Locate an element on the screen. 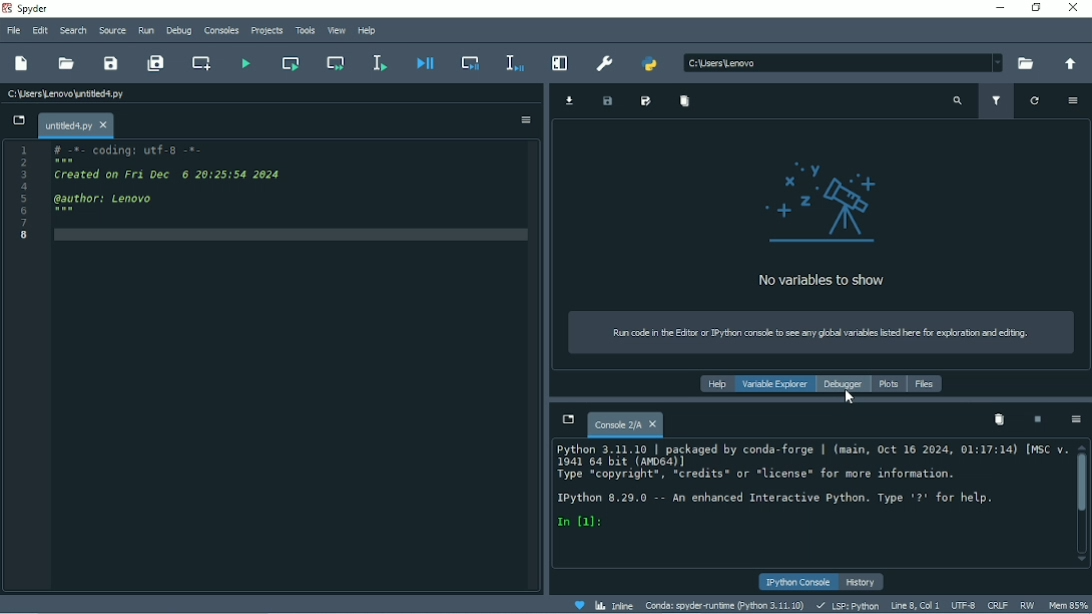  Interrupt kernel is located at coordinates (1038, 420).